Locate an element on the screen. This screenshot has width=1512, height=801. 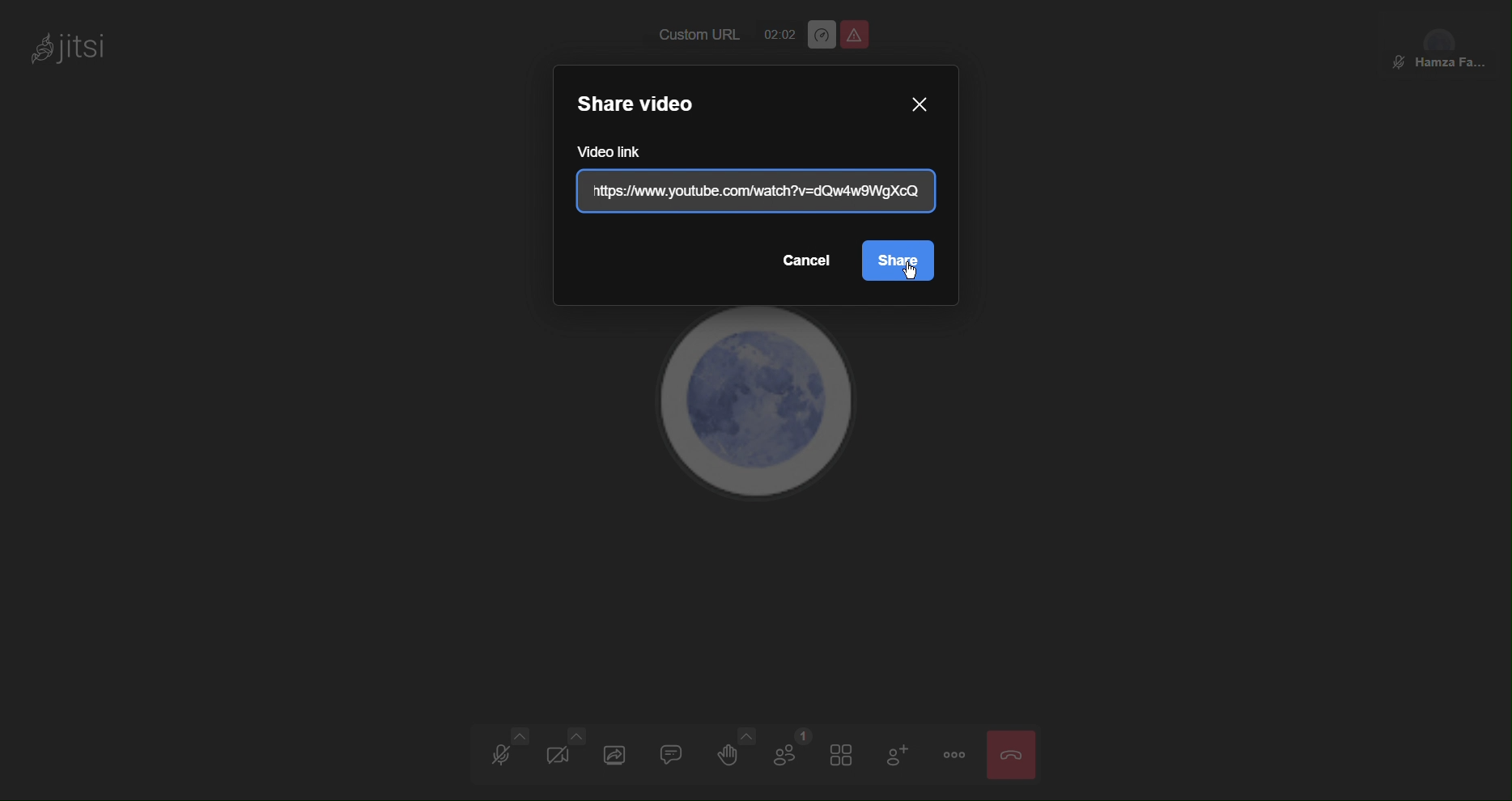
Audio is located at coordinates (507, 753).